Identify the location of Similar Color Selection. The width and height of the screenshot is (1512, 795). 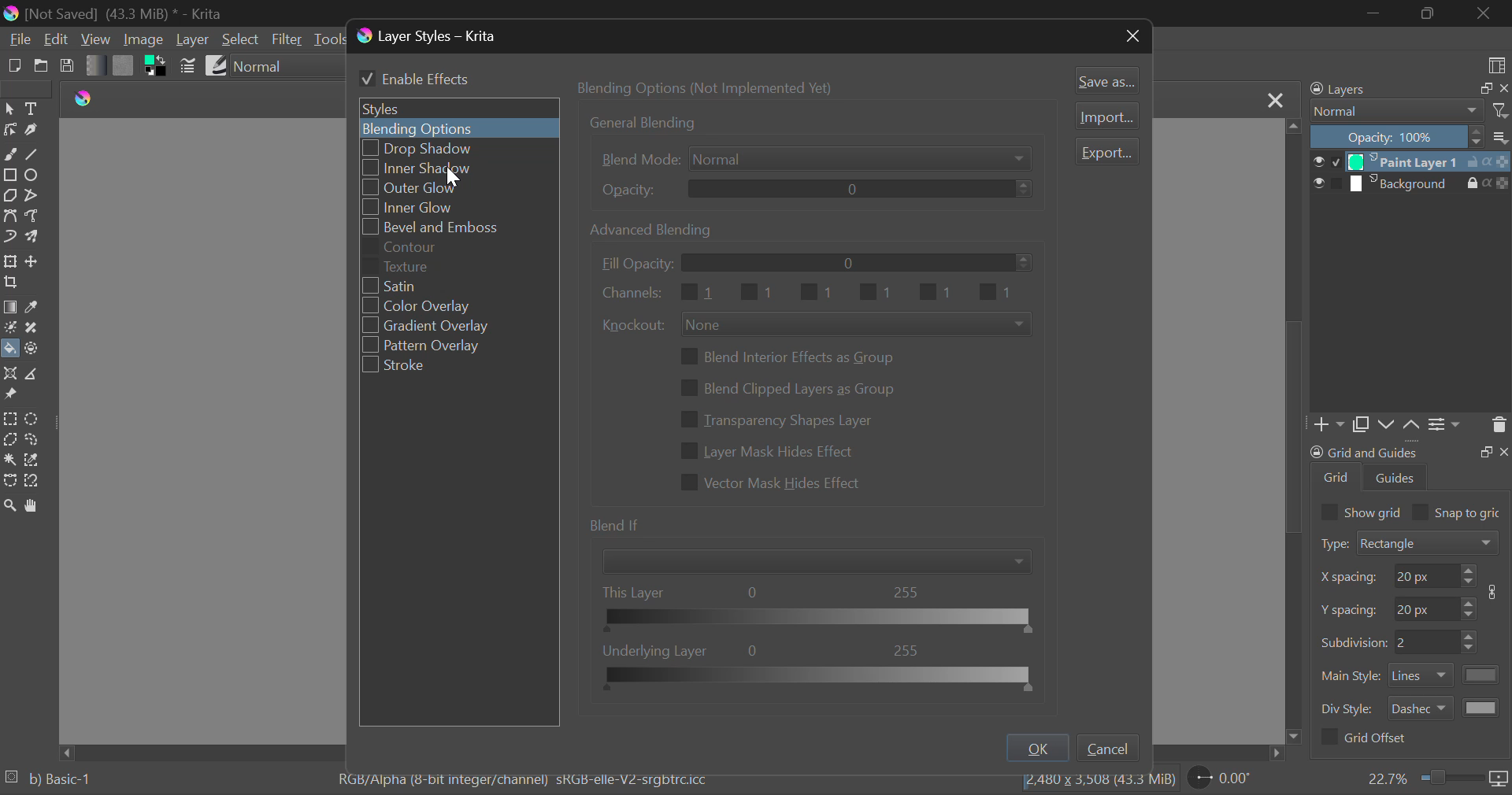
(32, 461).